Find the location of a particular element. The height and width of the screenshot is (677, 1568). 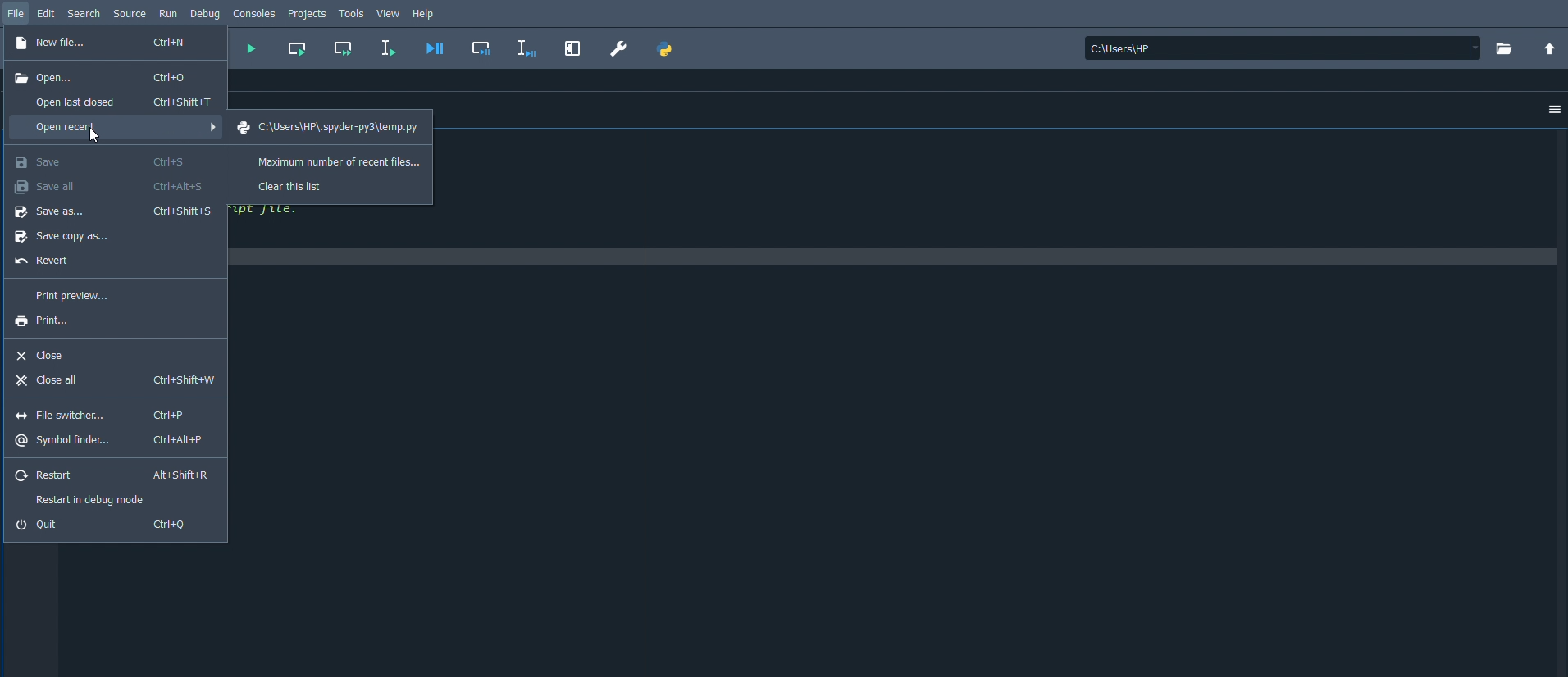

Run current cell and go to the next one is located at coordinates (344, 48).